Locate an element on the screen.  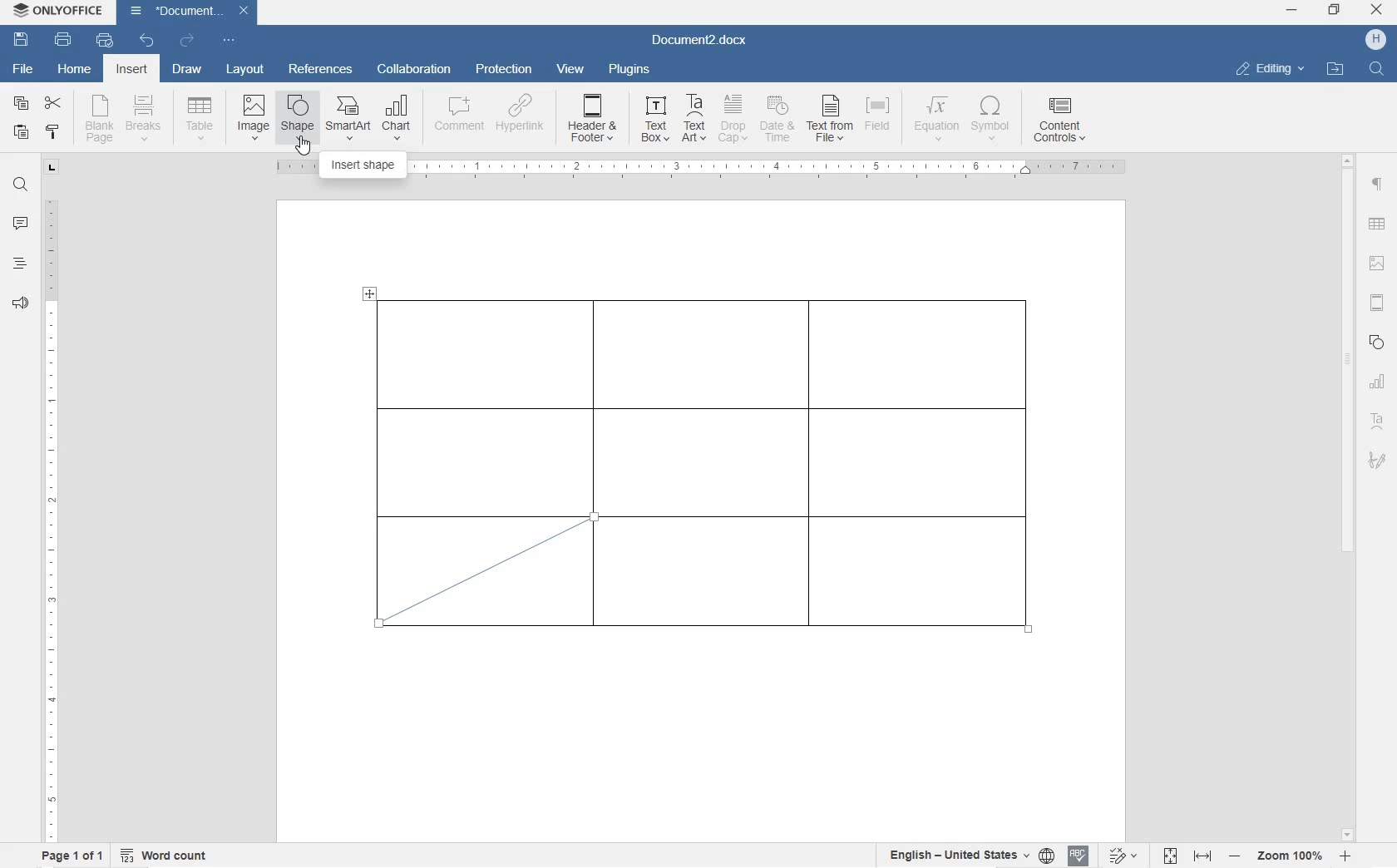
EDITING is located at coordinates (1271, 68).